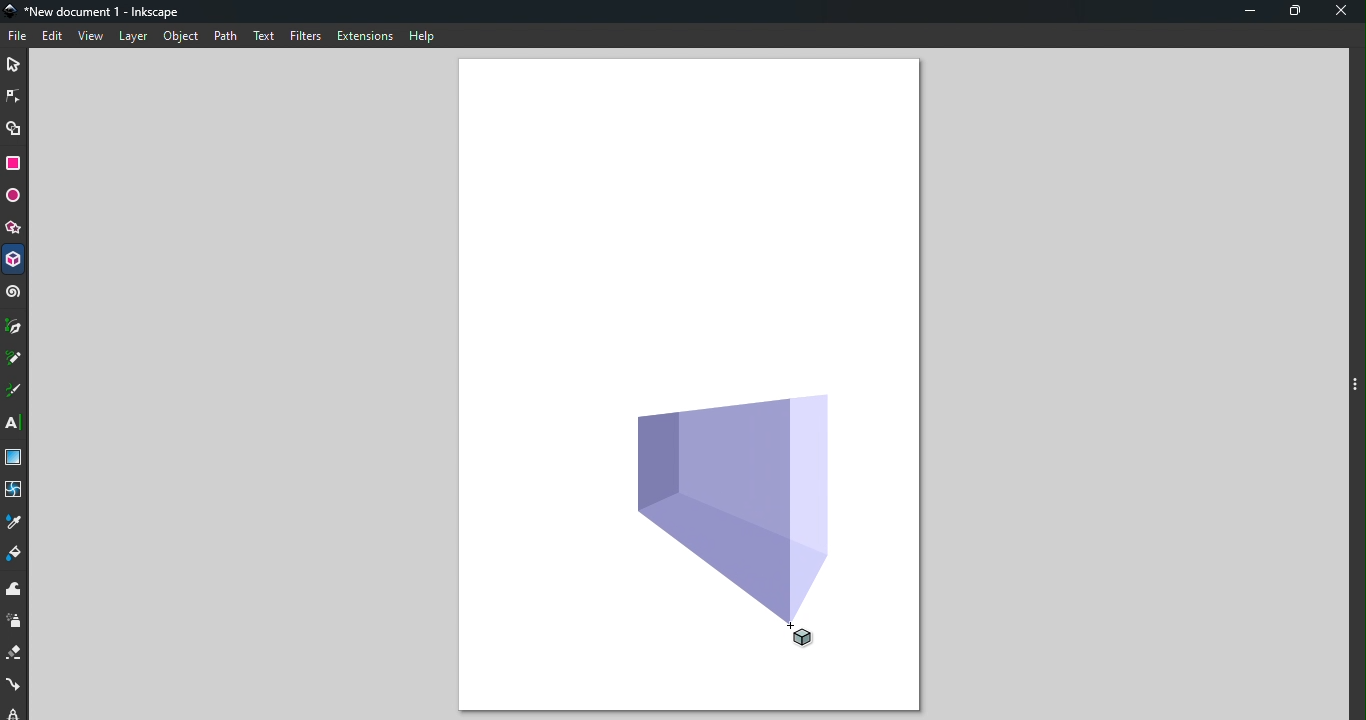 The width and height of the screenshot is (1366, 720). What do you see at coordinates (17, 591) in the screenshot?
I see `Tweak tool` at bounding box center [17, 591].